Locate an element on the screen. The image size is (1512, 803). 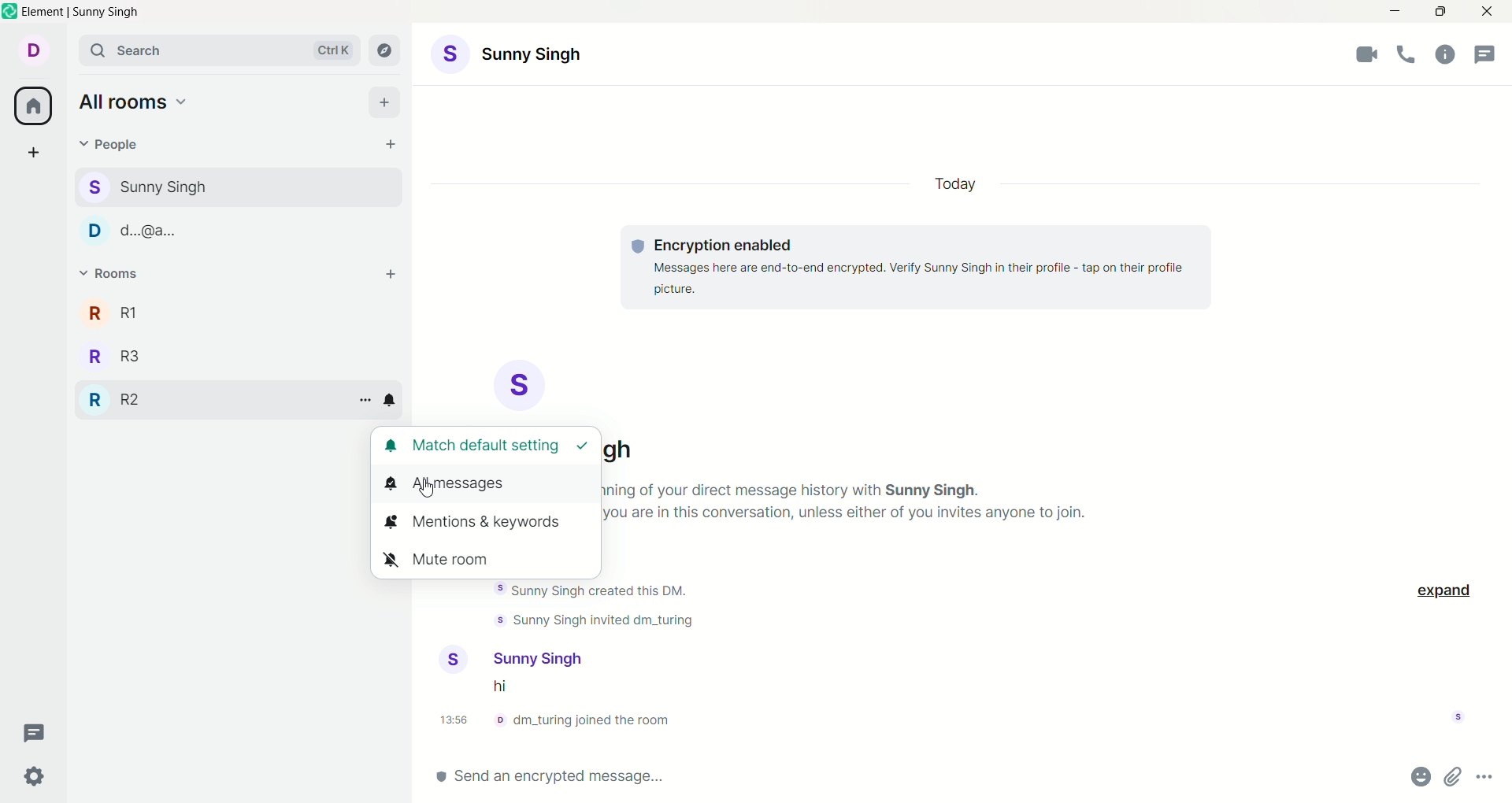
minimize is located at coordinates (1392, 13).